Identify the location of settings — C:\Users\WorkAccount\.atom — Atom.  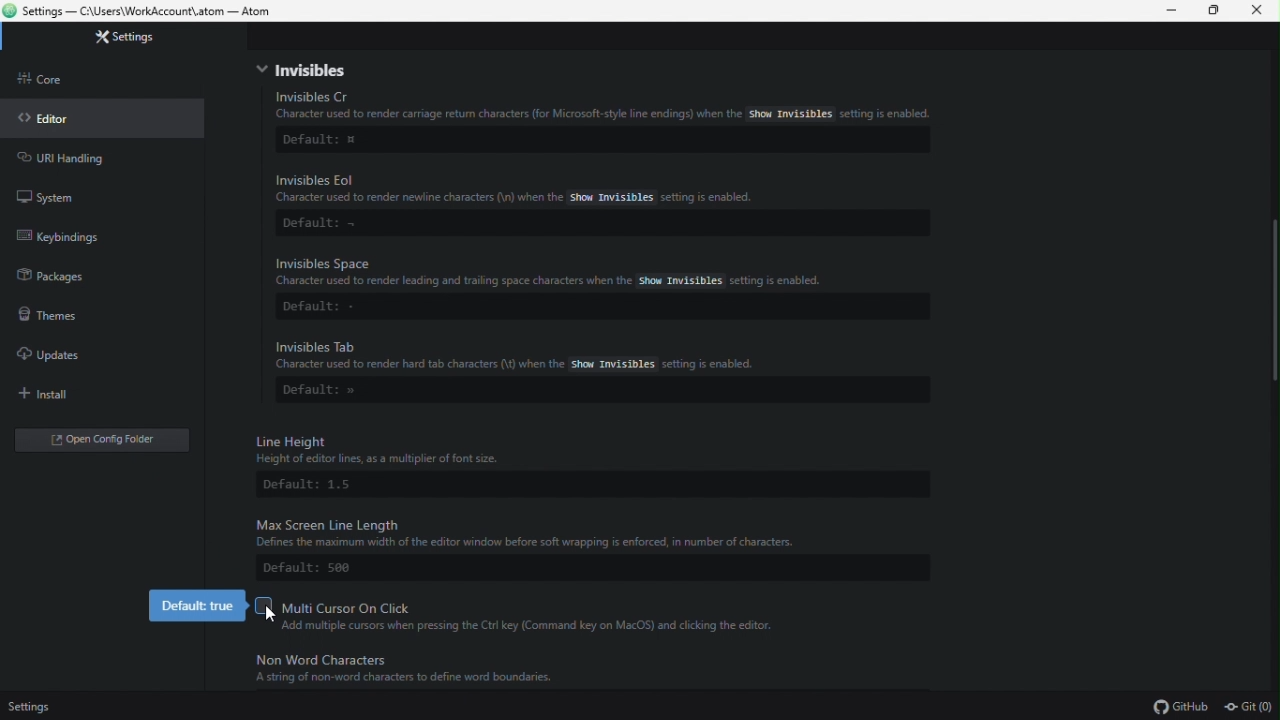
(147, 12).